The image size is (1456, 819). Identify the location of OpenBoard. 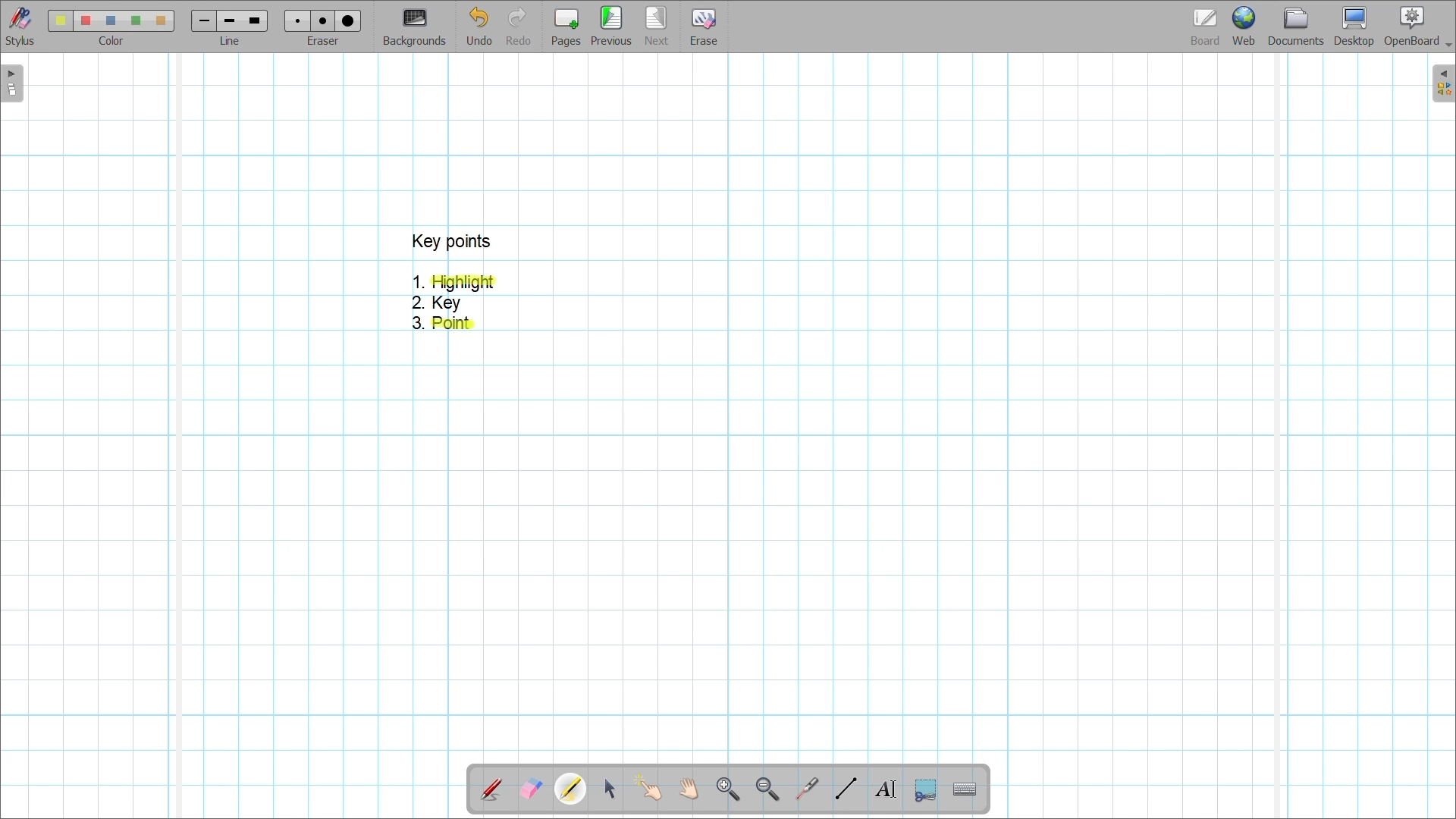
(1417, 27).